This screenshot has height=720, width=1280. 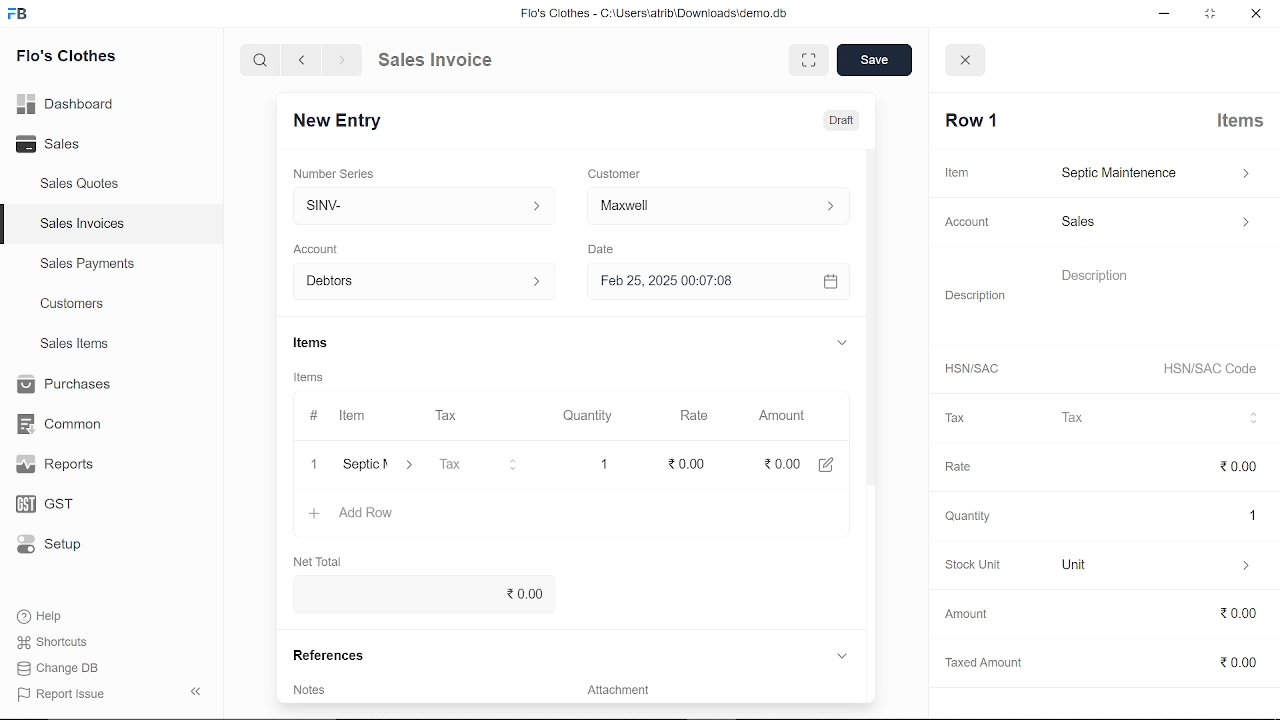 I want to click on Flo's Clothes - G:AUserslatribiDownloadsidemo.do, so click(x=651, y=13).